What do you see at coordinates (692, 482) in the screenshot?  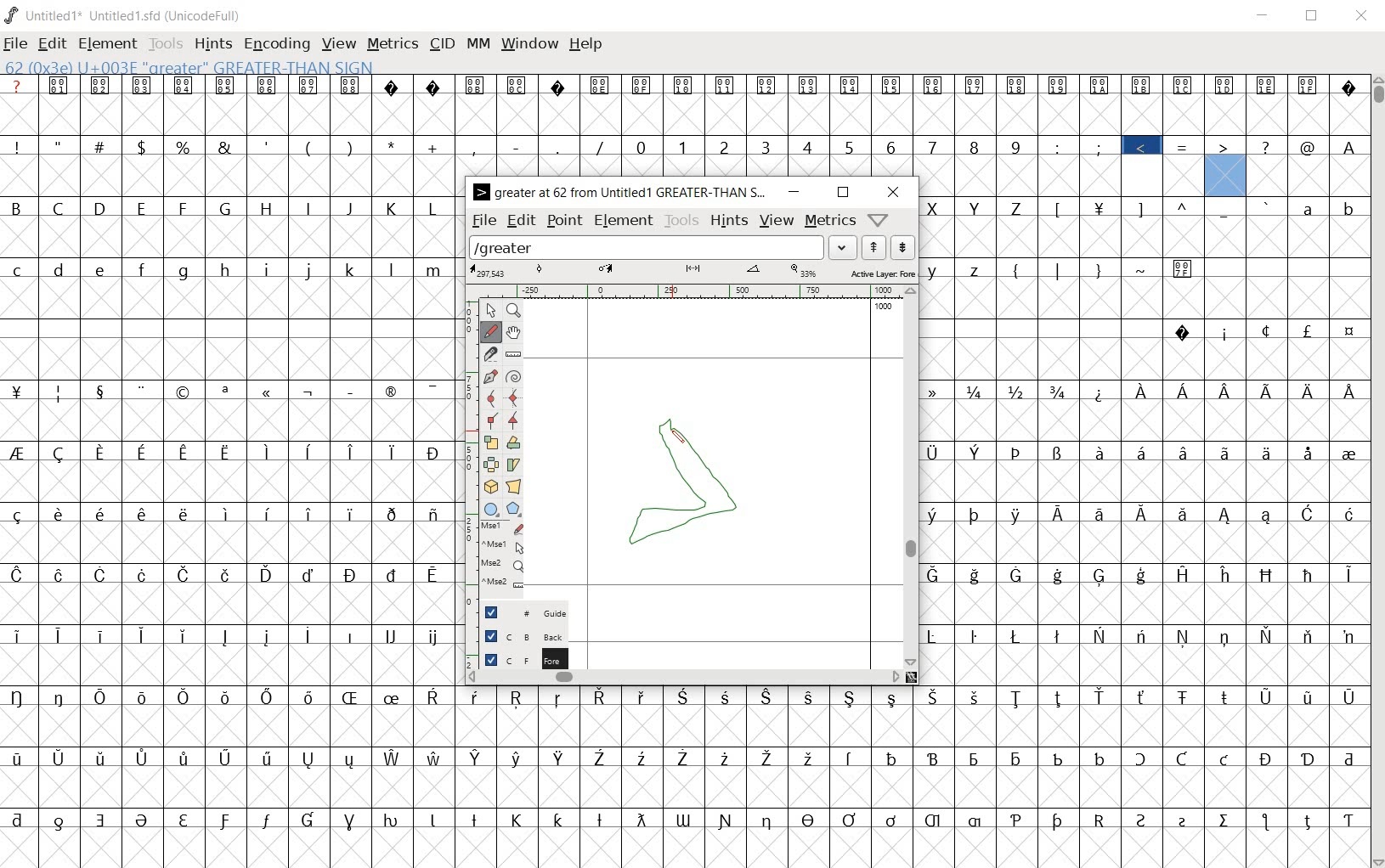 I see `glyph for a closed angle bracket creation` at bounding box center [692, 482].